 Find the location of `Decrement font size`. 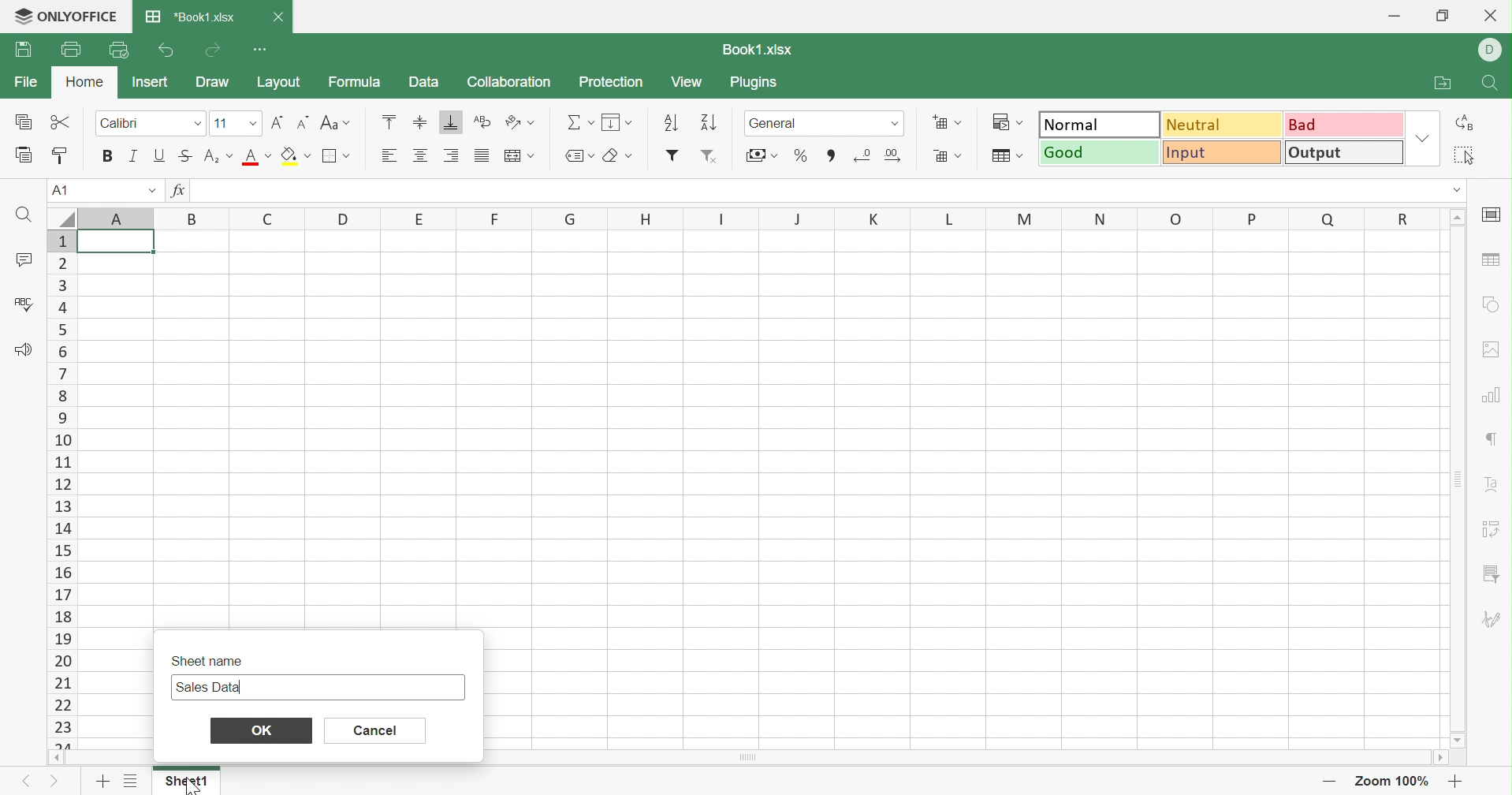

Decrement font size is located at coordinates (303, 121).